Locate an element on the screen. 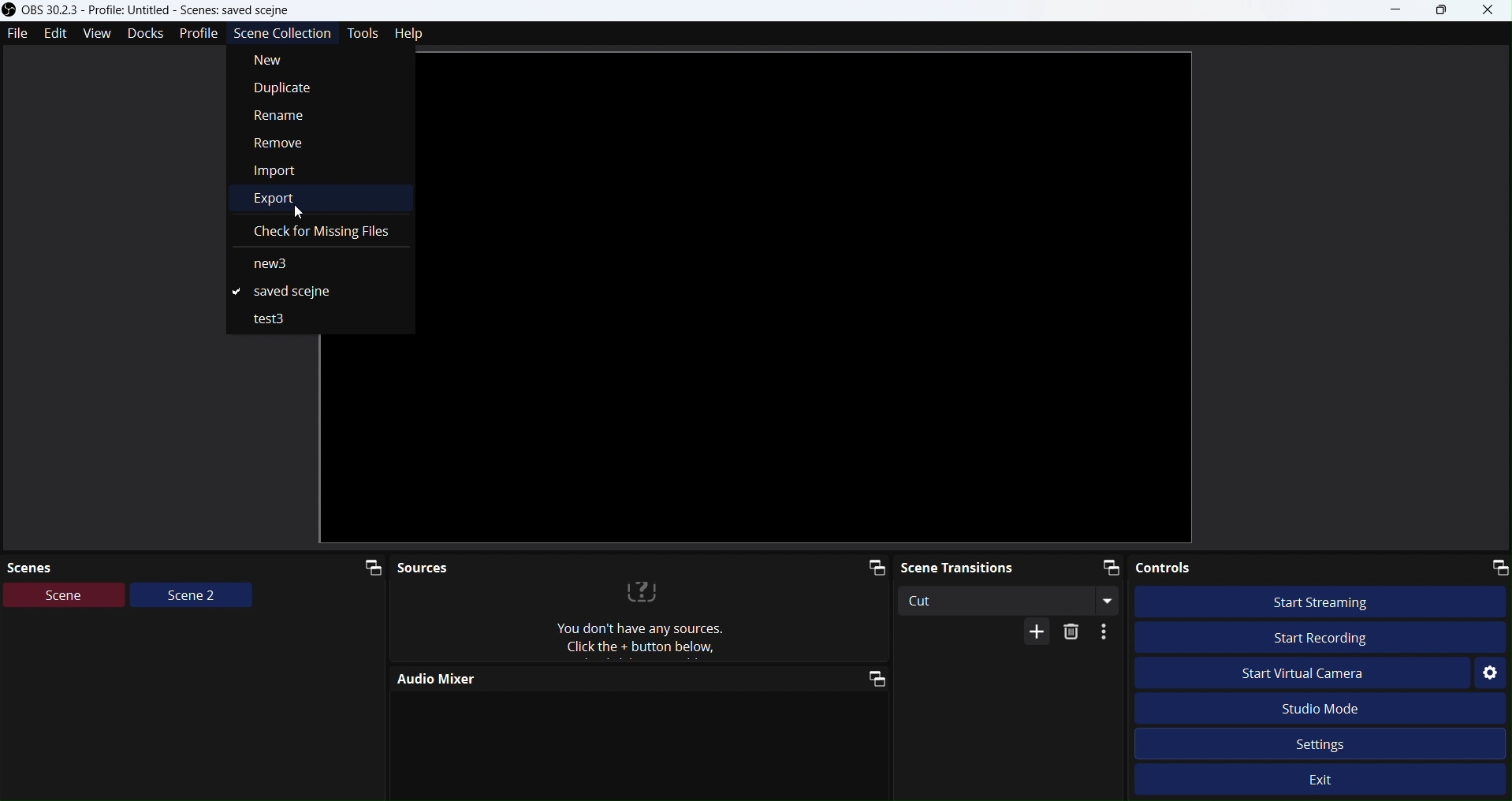  Scenecollection is located at coordinates (283, 35).